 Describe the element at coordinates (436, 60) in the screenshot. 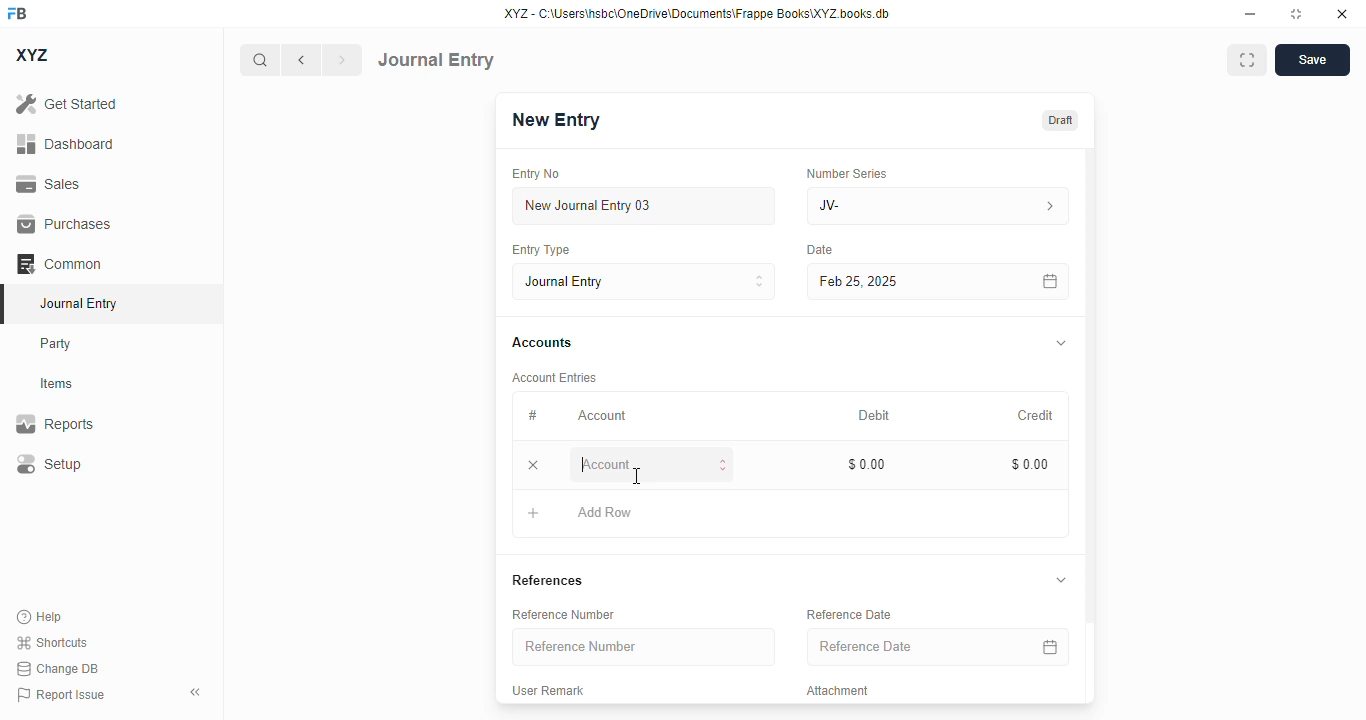

I see `journal entry` at that location.